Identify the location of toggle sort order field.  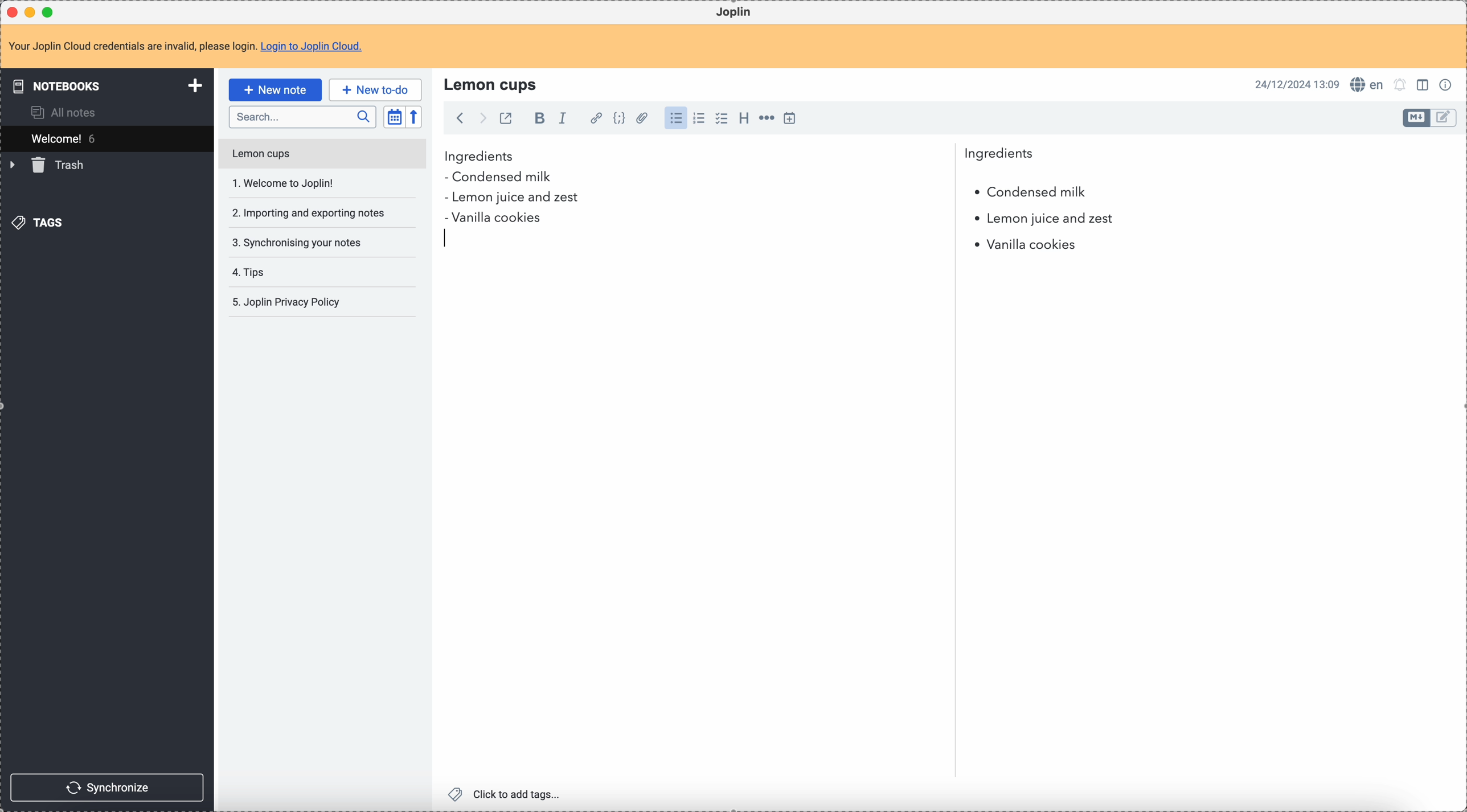
(394, 117).